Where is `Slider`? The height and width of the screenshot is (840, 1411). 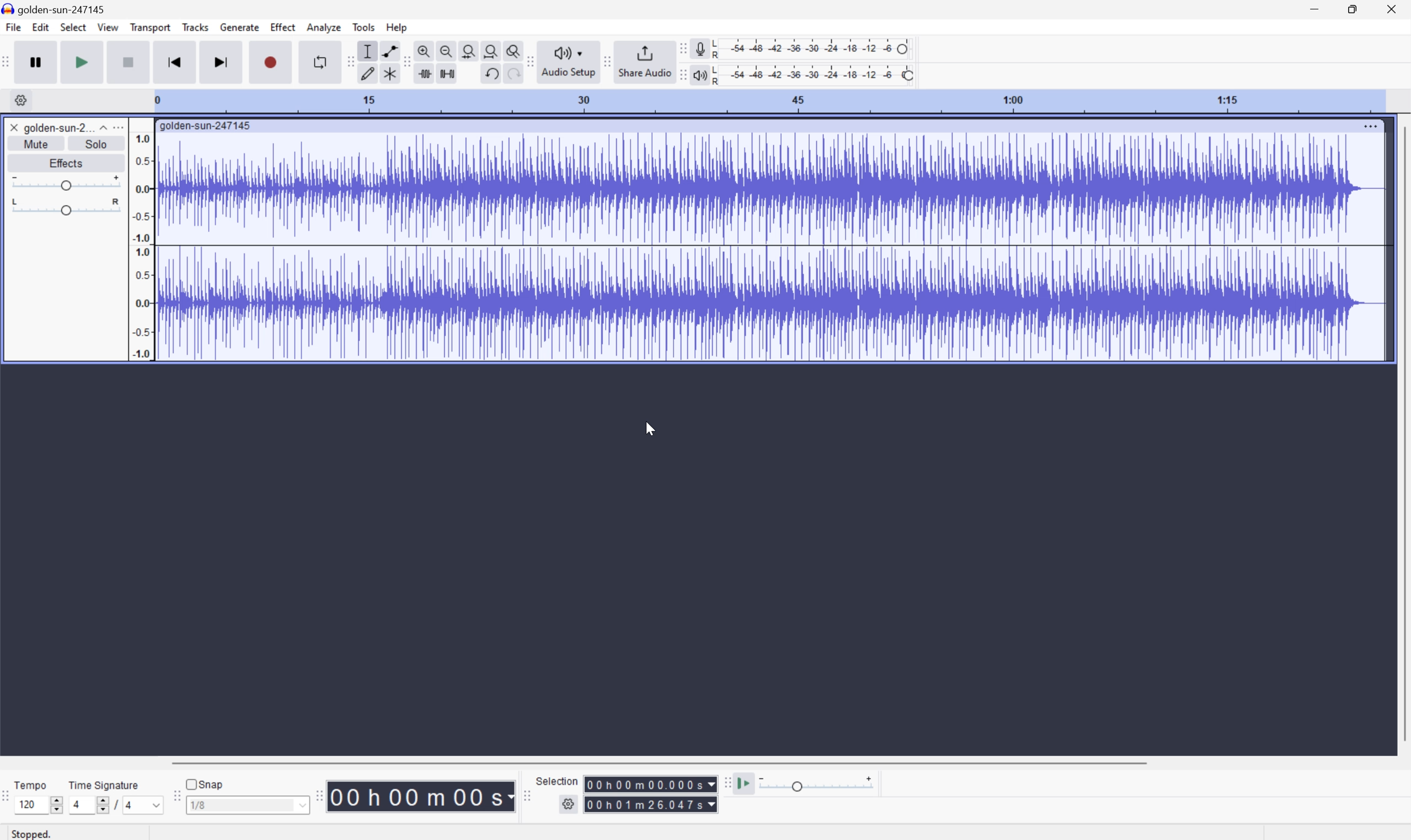 Slider is located at coordinates (66, 207).